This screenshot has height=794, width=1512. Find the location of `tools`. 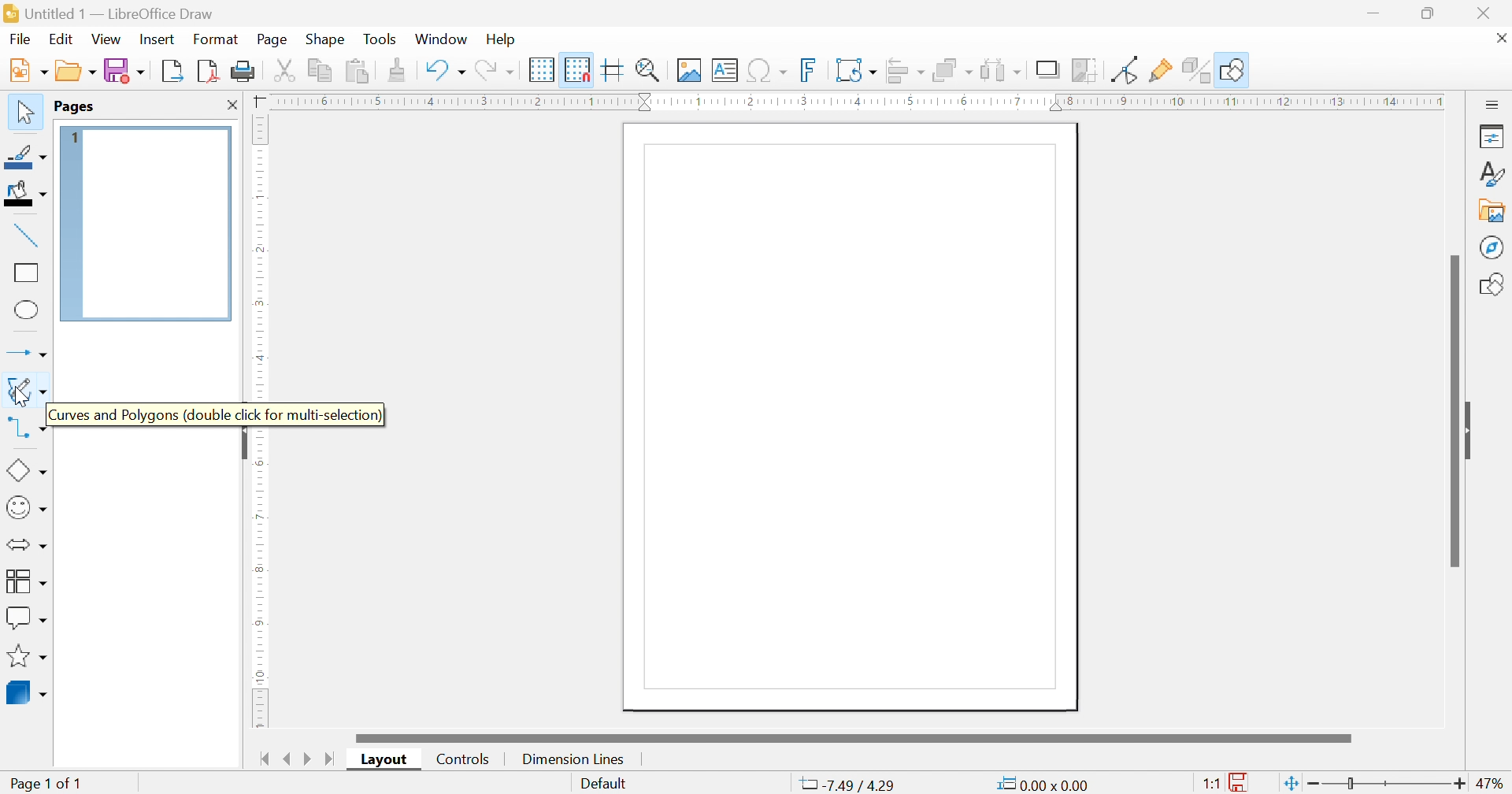

tools is located at coordinates (382, 38).